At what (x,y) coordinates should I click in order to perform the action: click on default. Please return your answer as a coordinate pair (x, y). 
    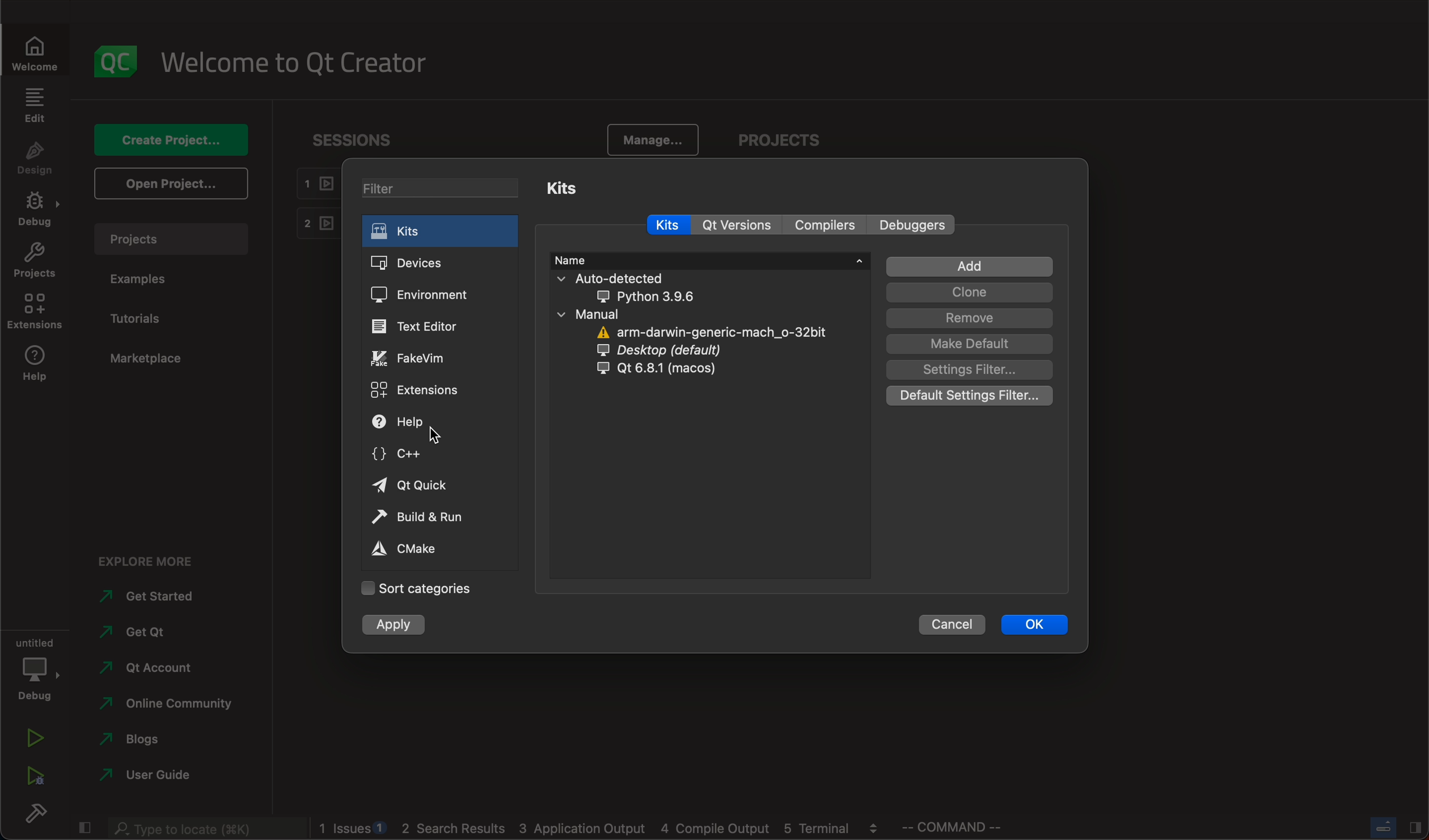
    Looking at the image, I should click on (969, 343).